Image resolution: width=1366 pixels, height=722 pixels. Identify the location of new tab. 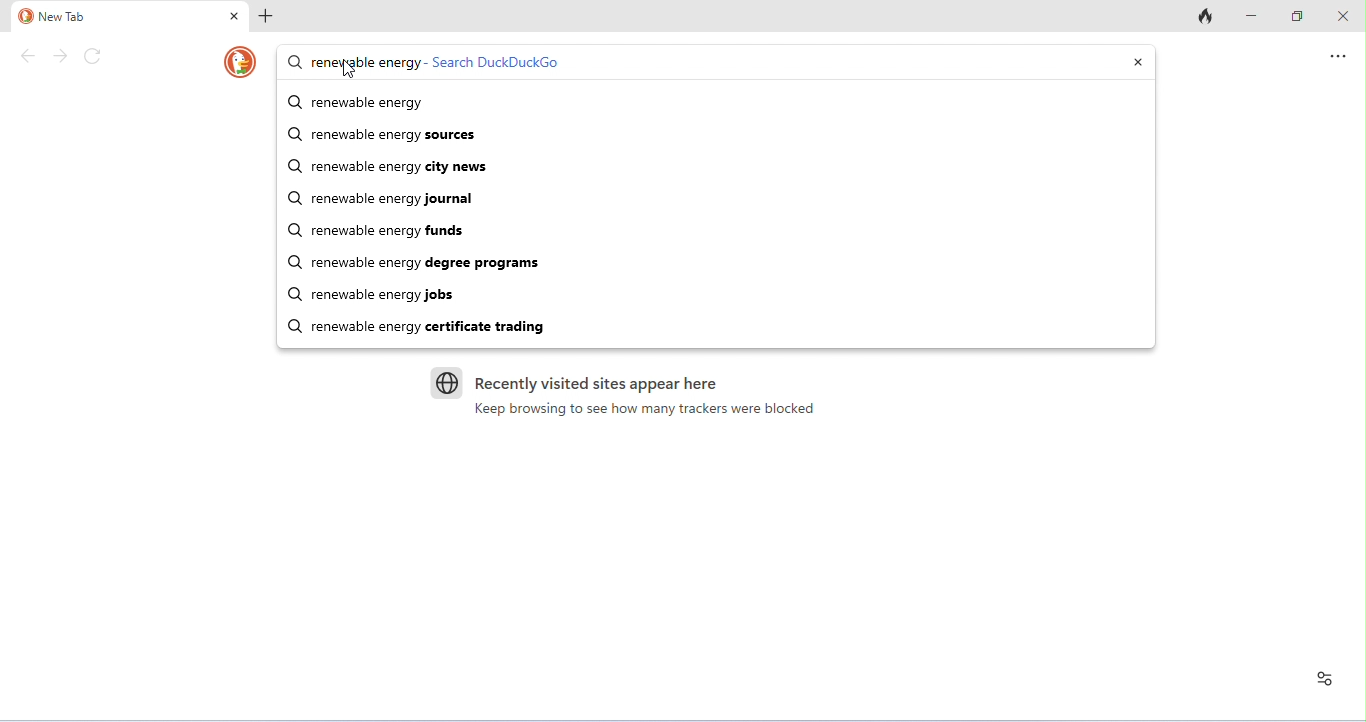
(118, 17).